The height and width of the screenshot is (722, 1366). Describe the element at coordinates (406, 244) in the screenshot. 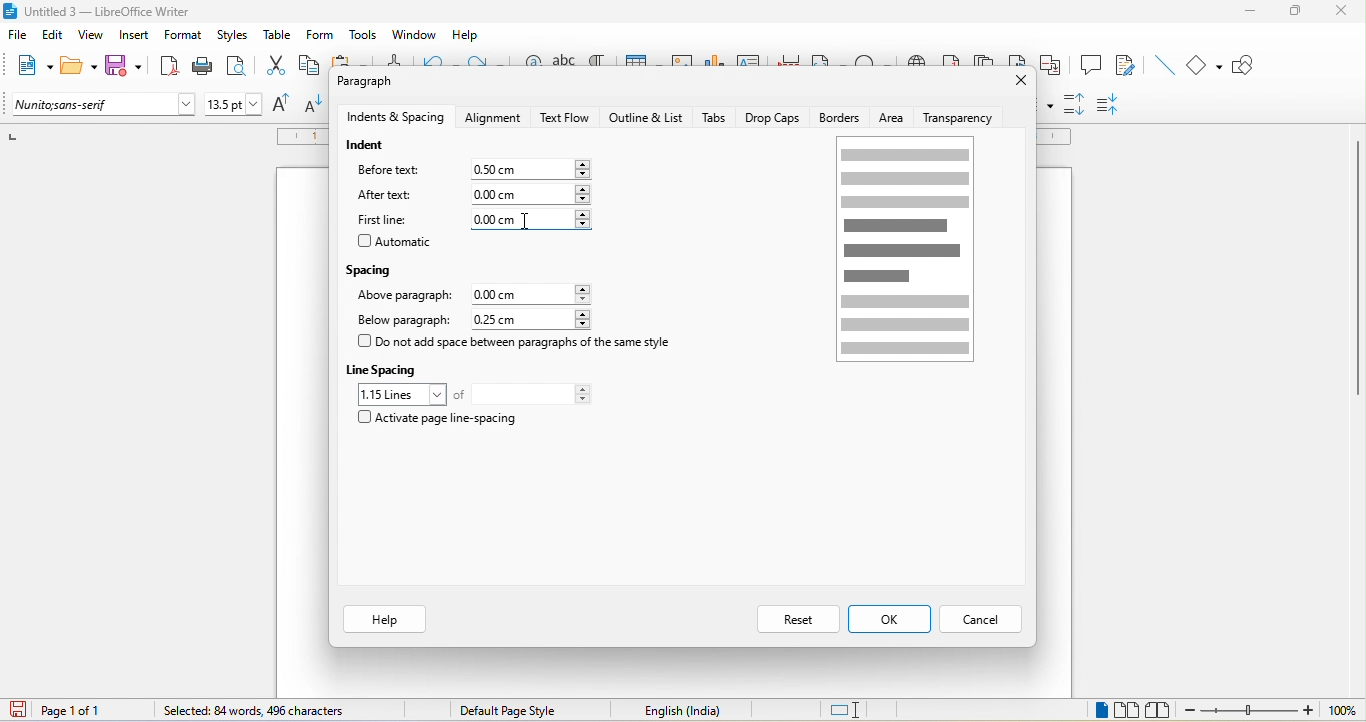

I see `automatic` at that location.